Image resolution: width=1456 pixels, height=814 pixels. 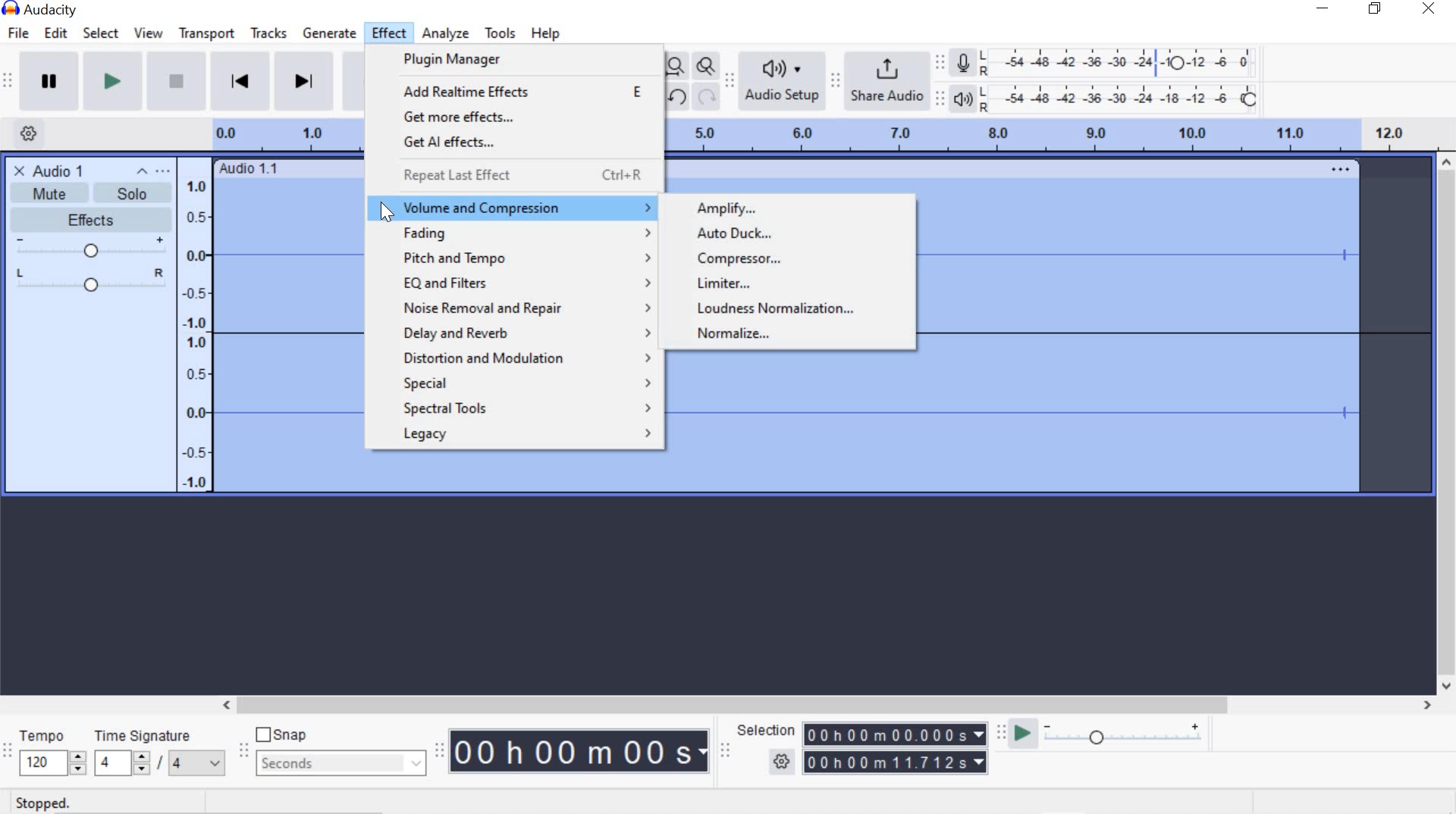 What do you see at coordinates (206, 33) in the screenshot?
I see `transport` at bounding box center [206, 33].